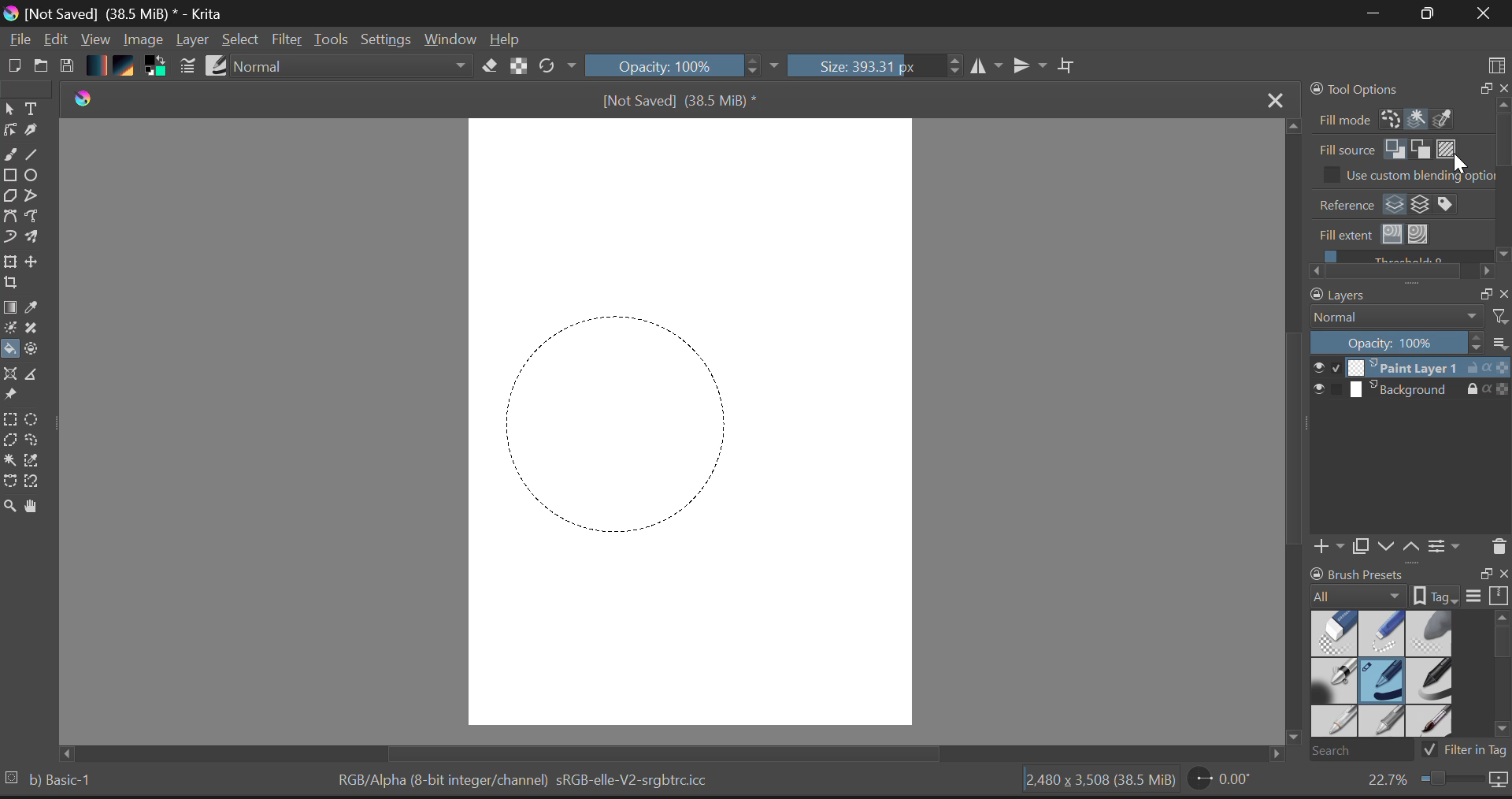 This screenshot has height=799, width=1512. Describe the element at coordinates (9, 421) in the screenshot. I see `Rectangle Selection` at that location.